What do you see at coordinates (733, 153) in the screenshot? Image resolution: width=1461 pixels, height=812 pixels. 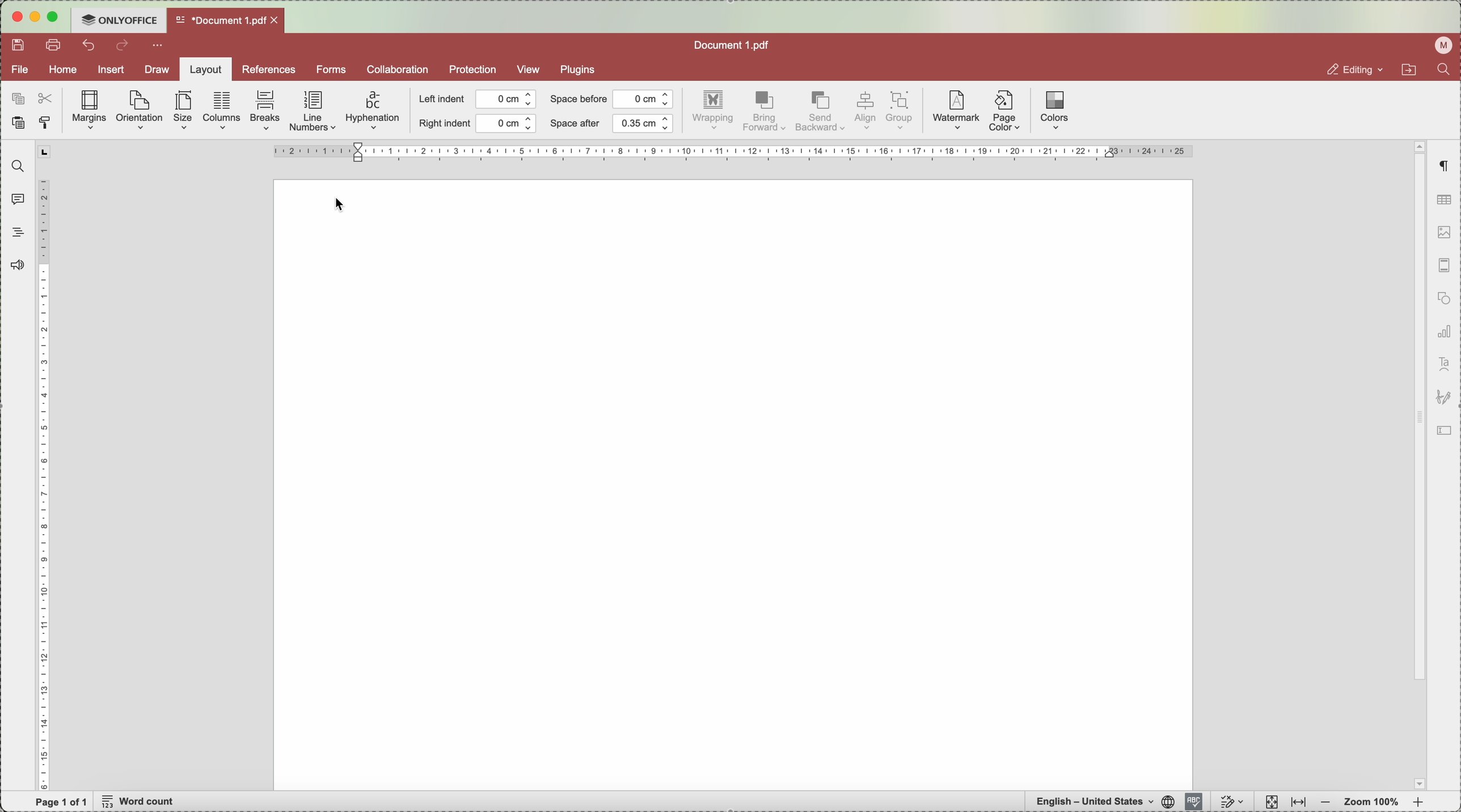 I see `ruler` at bounding box center [733, 153].